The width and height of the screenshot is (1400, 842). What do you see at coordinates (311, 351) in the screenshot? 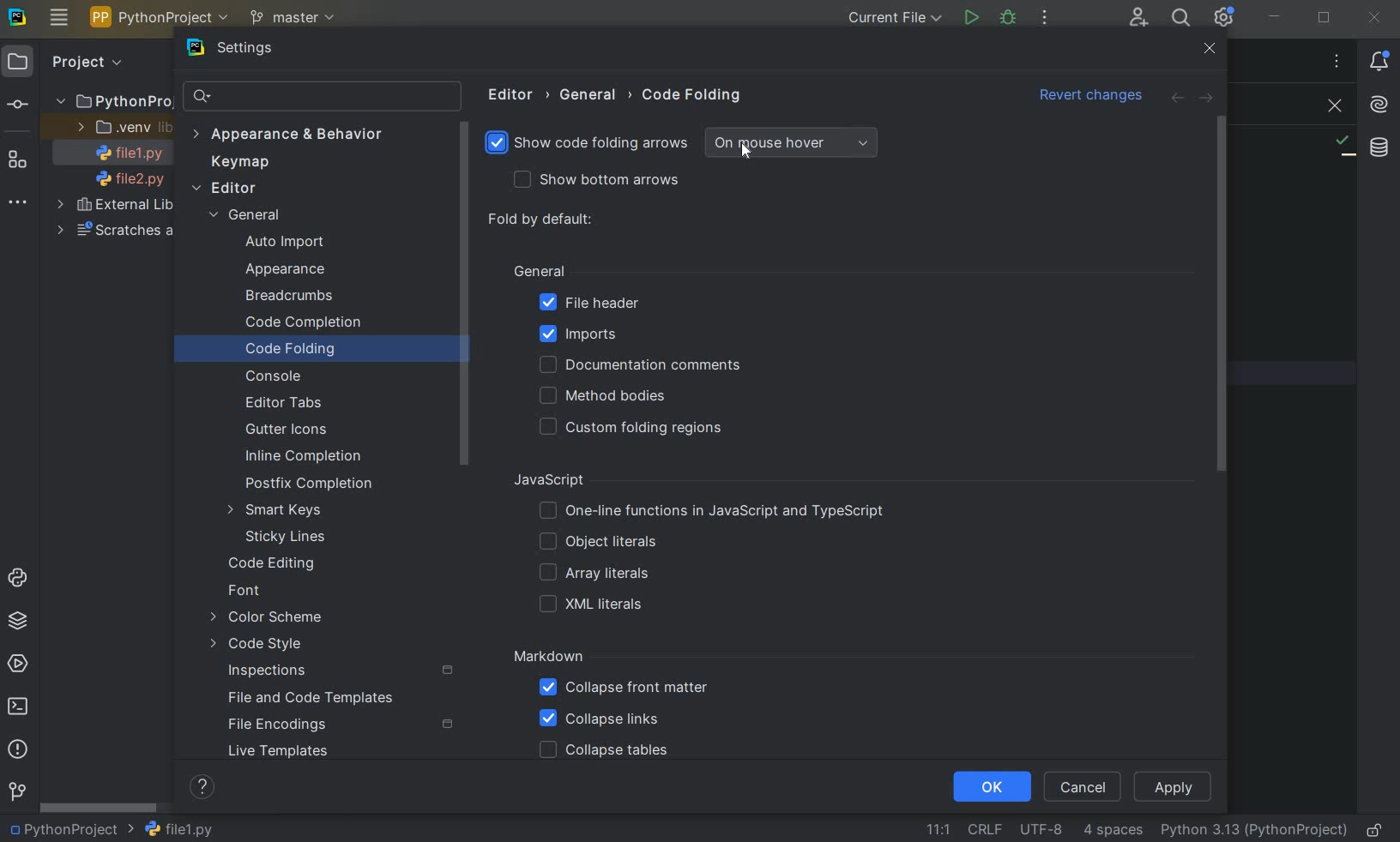
I see `CODE FOLDING` at bounding box center [311, 351].